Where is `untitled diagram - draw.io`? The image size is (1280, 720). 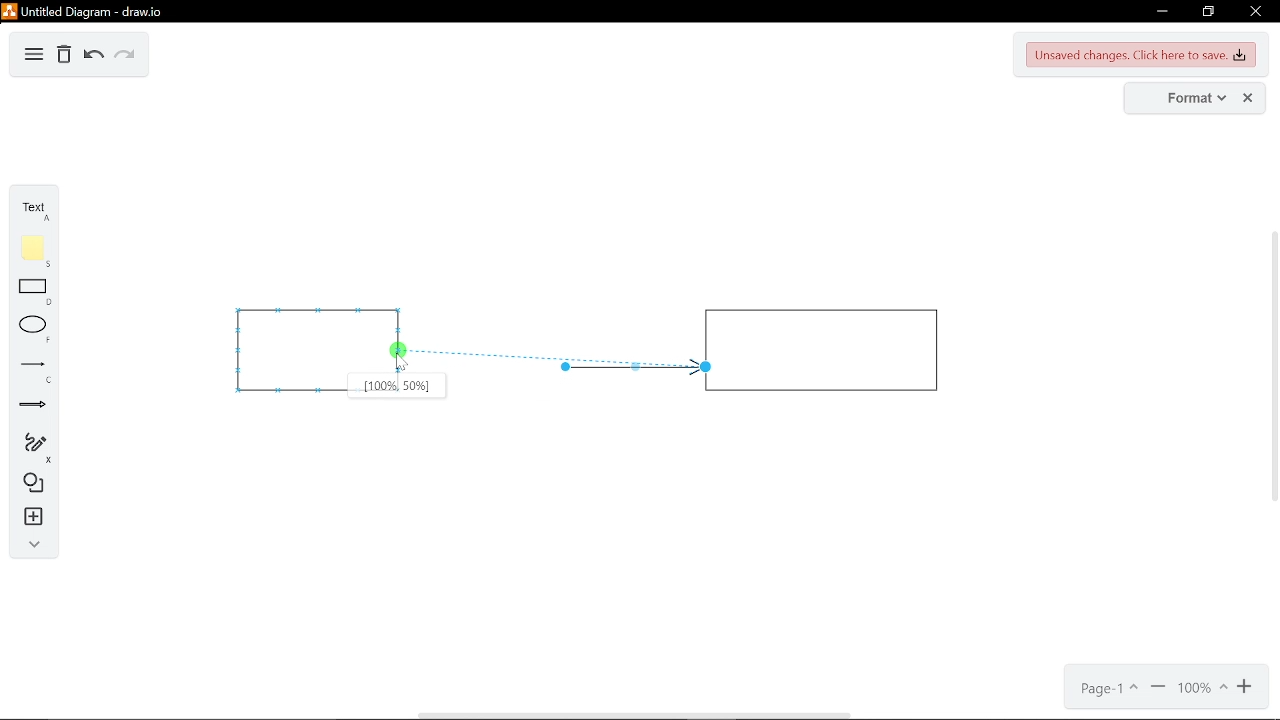 untitled diagram - draw.io is located at coordinates (90, 12).